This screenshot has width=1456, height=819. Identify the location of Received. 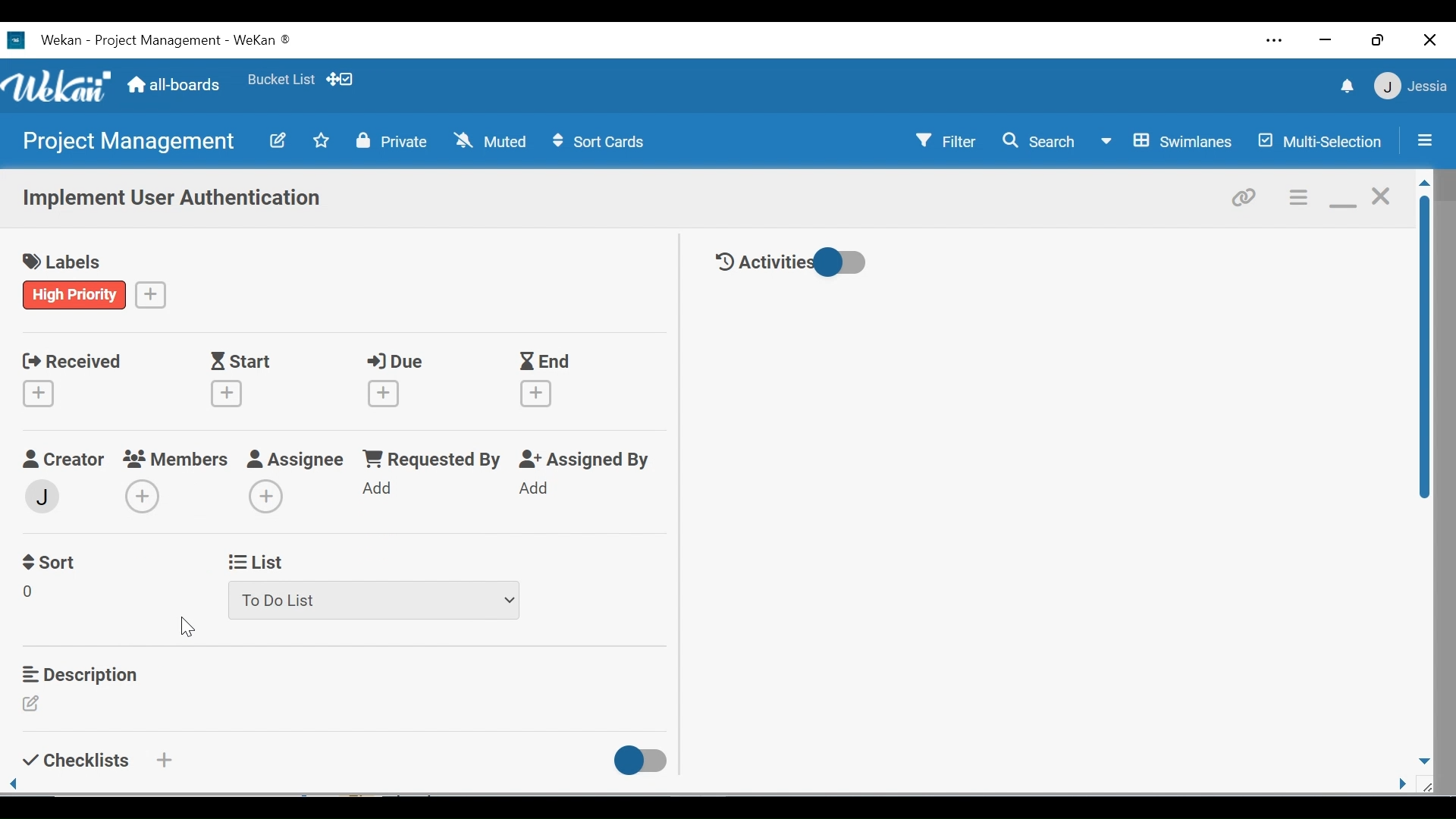
(67, 381).